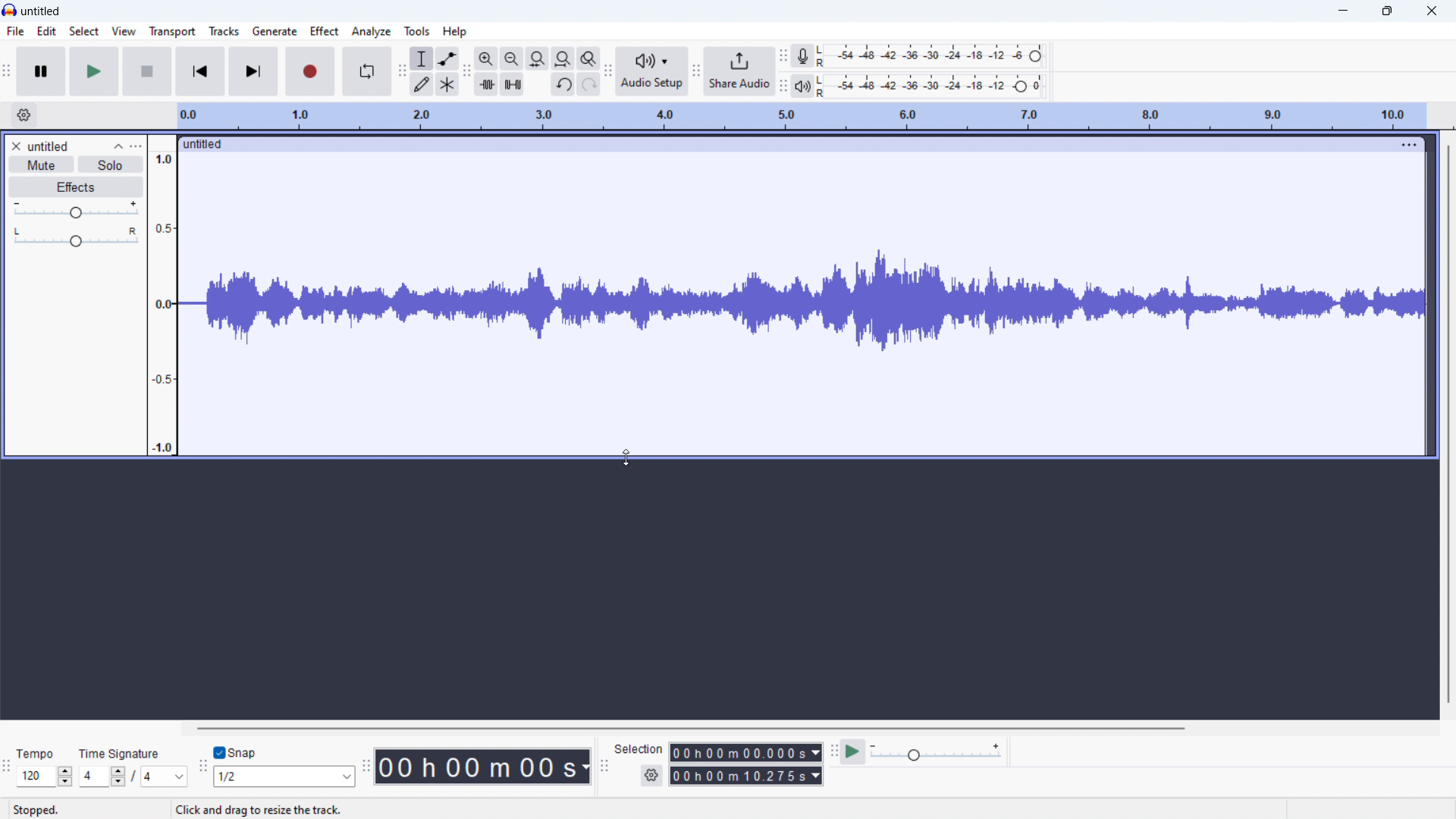 The width and height of the screenshot is (1456, 819). What do you see at coordinates (39, 754) in the screenshot?
I see `Tempo` at bounding box center [39, 754].